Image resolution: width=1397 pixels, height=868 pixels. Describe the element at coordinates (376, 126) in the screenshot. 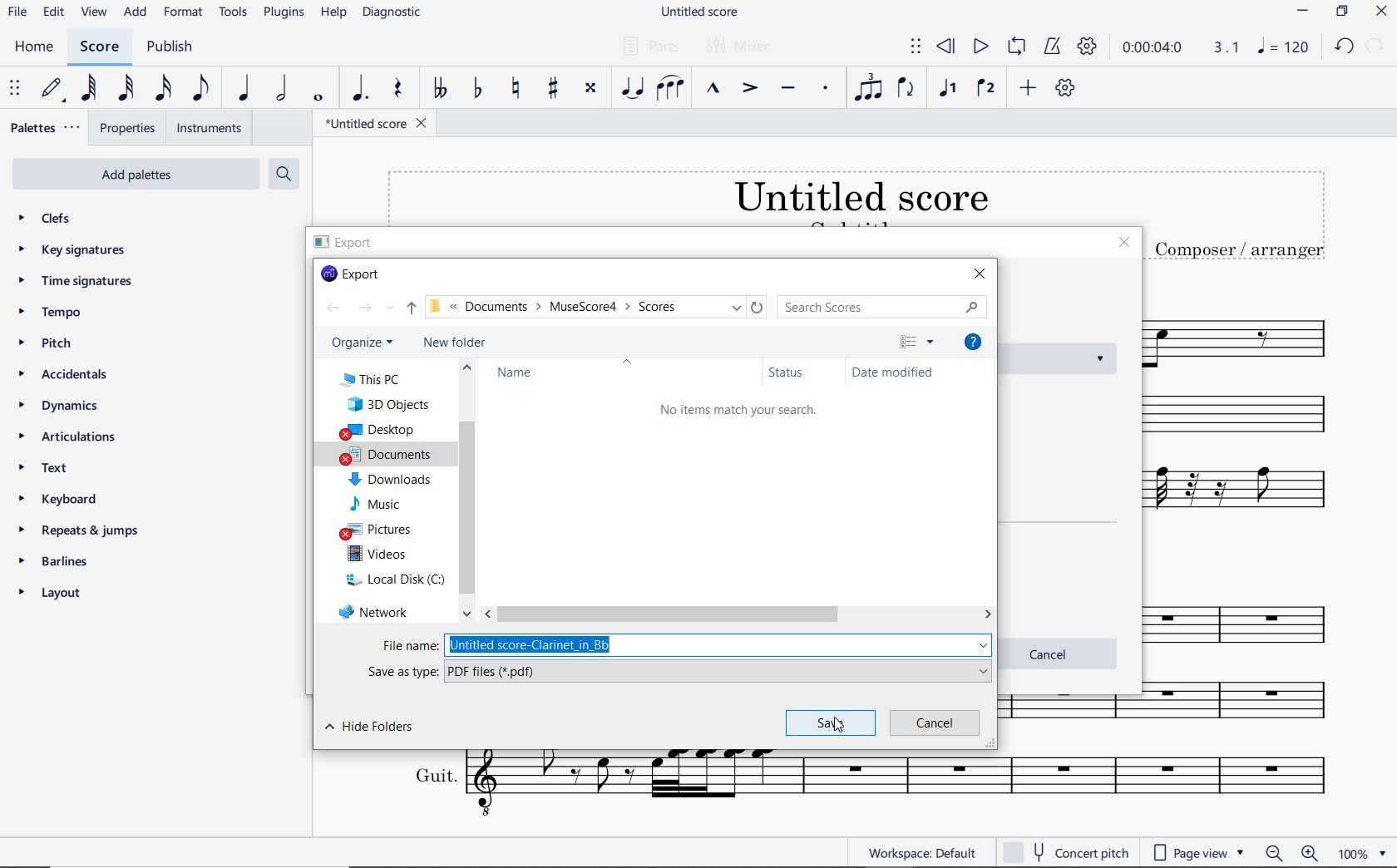

I see `FILE NAME` at that location.